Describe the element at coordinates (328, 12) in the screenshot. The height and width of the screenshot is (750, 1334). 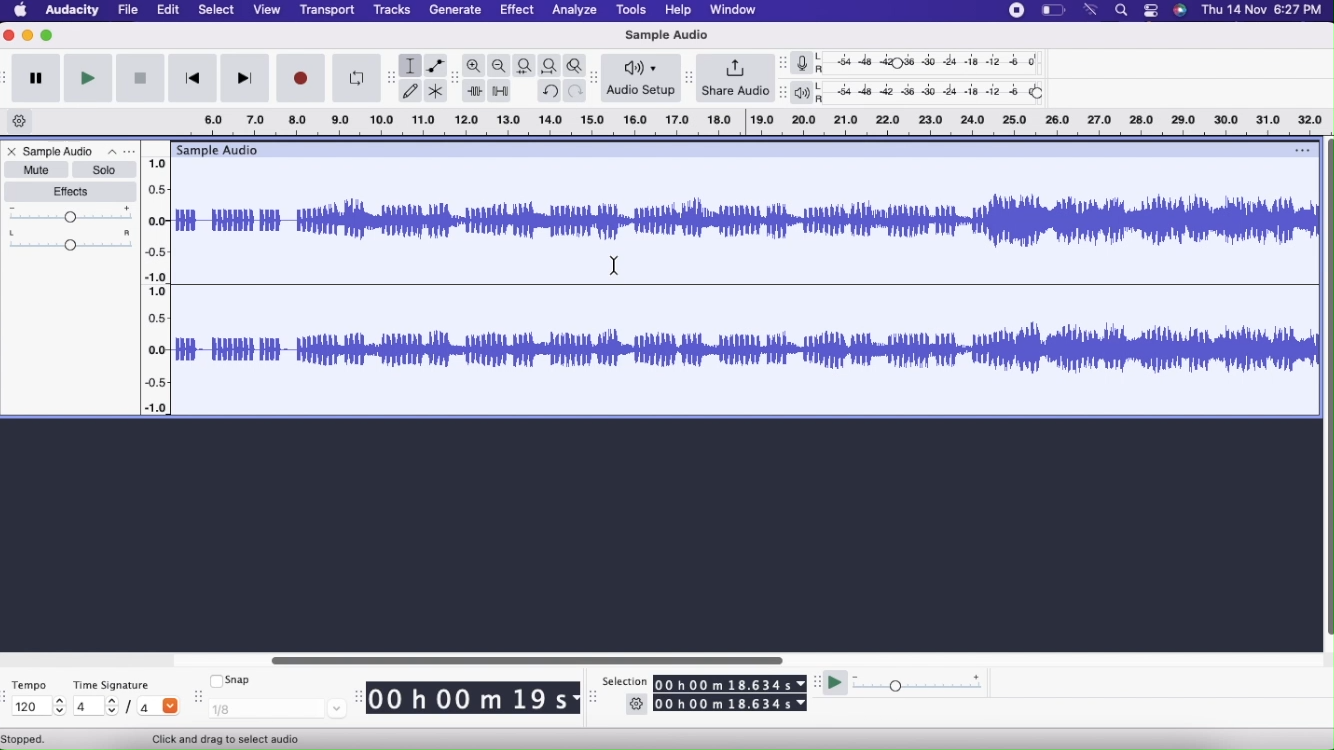
I see `Transport` at that location.